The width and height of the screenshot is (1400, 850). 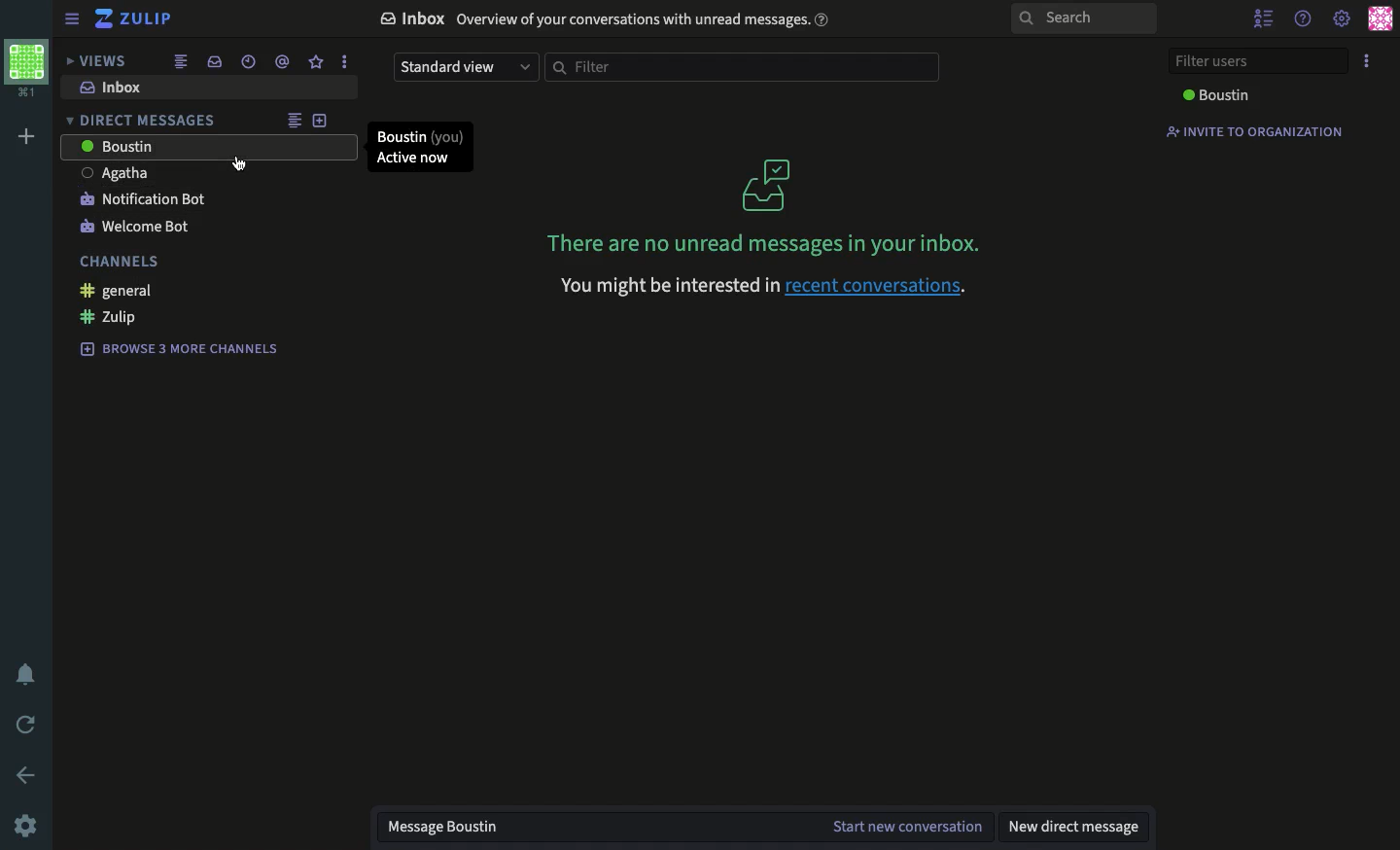 What do you see at coordinates (320, 118) in the screenshot?
I see `add user` at bounding box center [320, 118].